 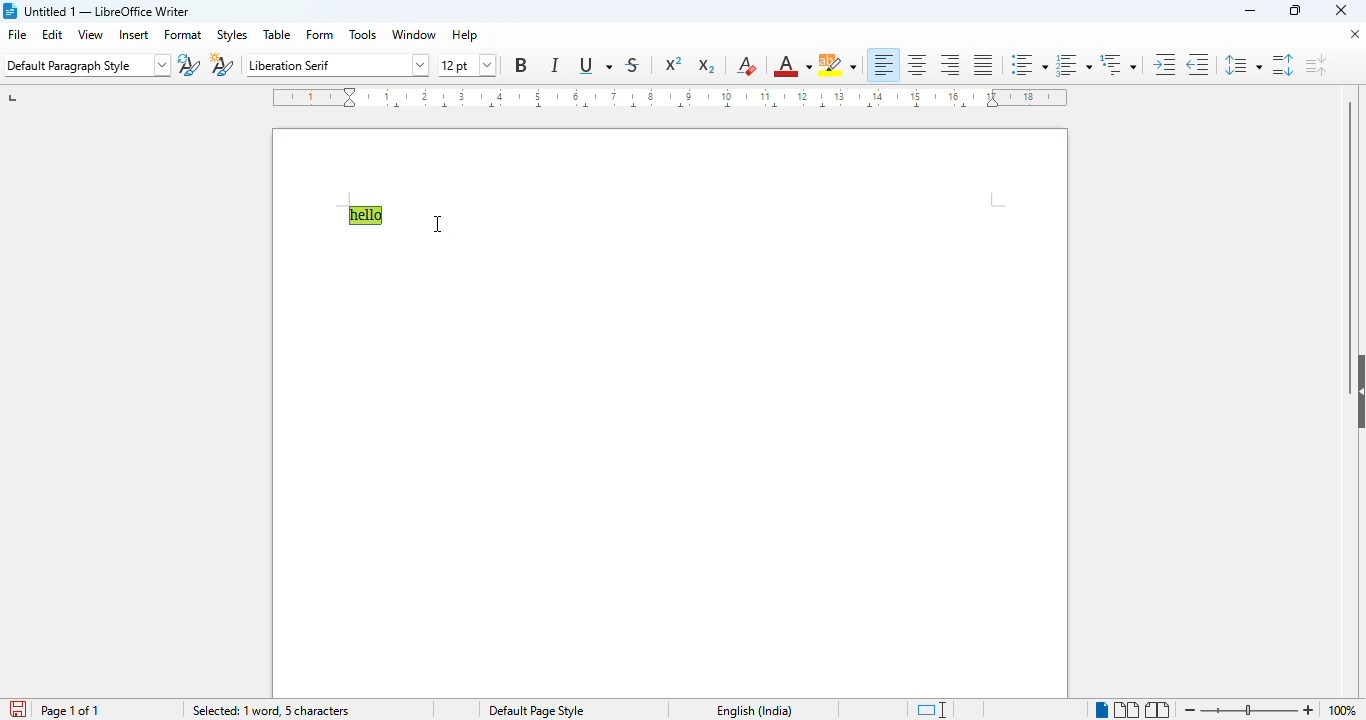 I want to click on  Liberation Serif, so click(x=325, y=66).